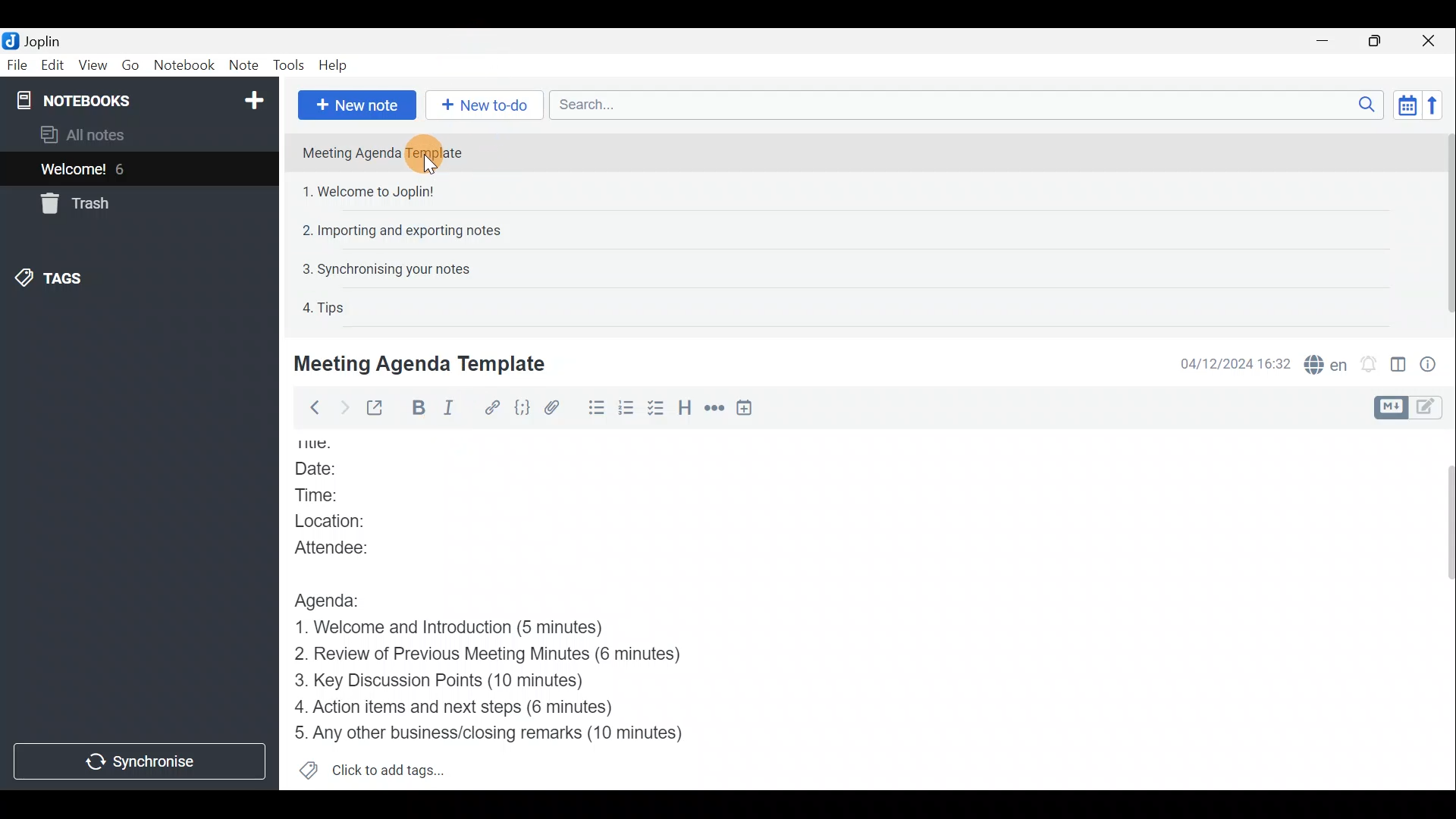 The height and width of the screenshot is (819, 1456). Describe the element at coordinates (1404, 103) in the screenshot. I see `Toggle sort order` at that location.